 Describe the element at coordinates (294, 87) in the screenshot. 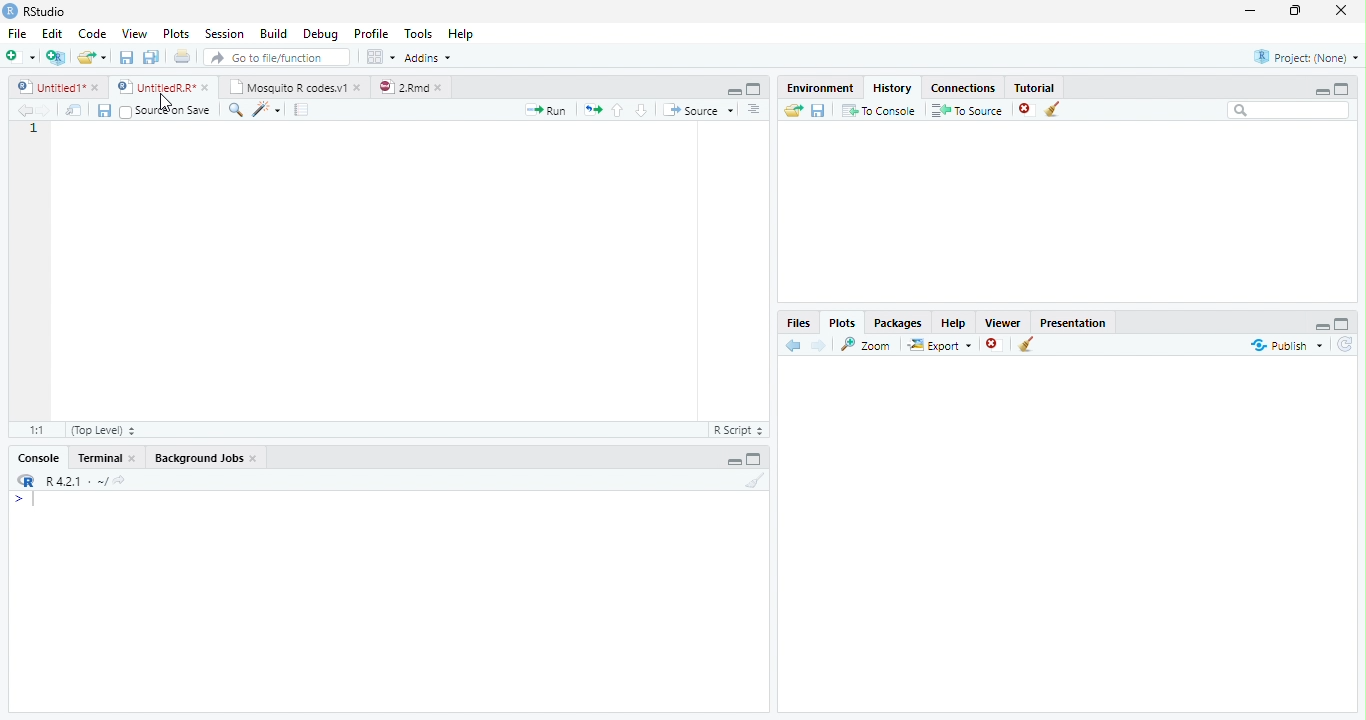

I see `| Mosquito R codesv1` at that location.